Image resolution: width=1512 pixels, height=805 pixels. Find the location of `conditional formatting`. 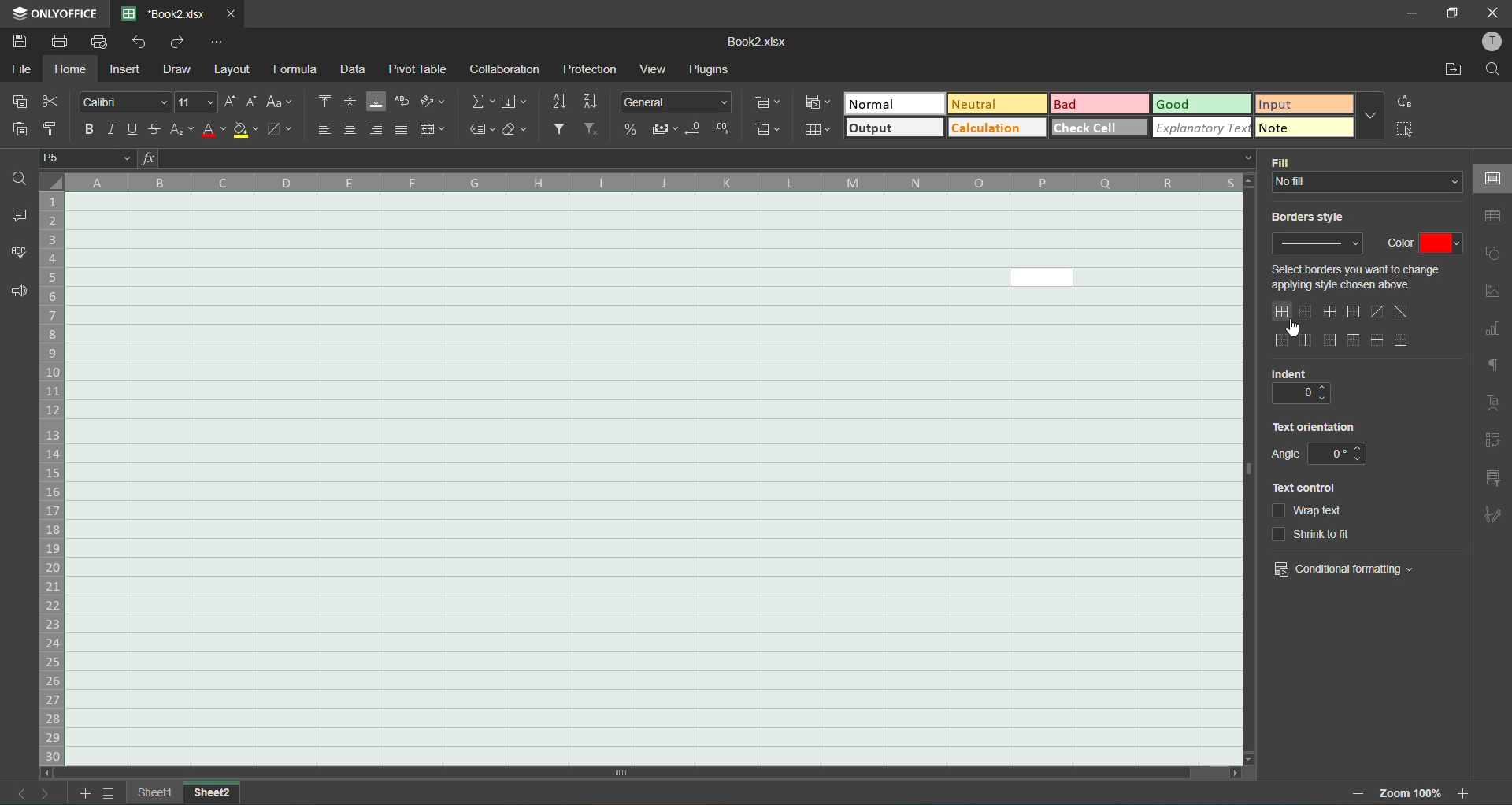

conditional formatting is located at coordinates (1345, 569).